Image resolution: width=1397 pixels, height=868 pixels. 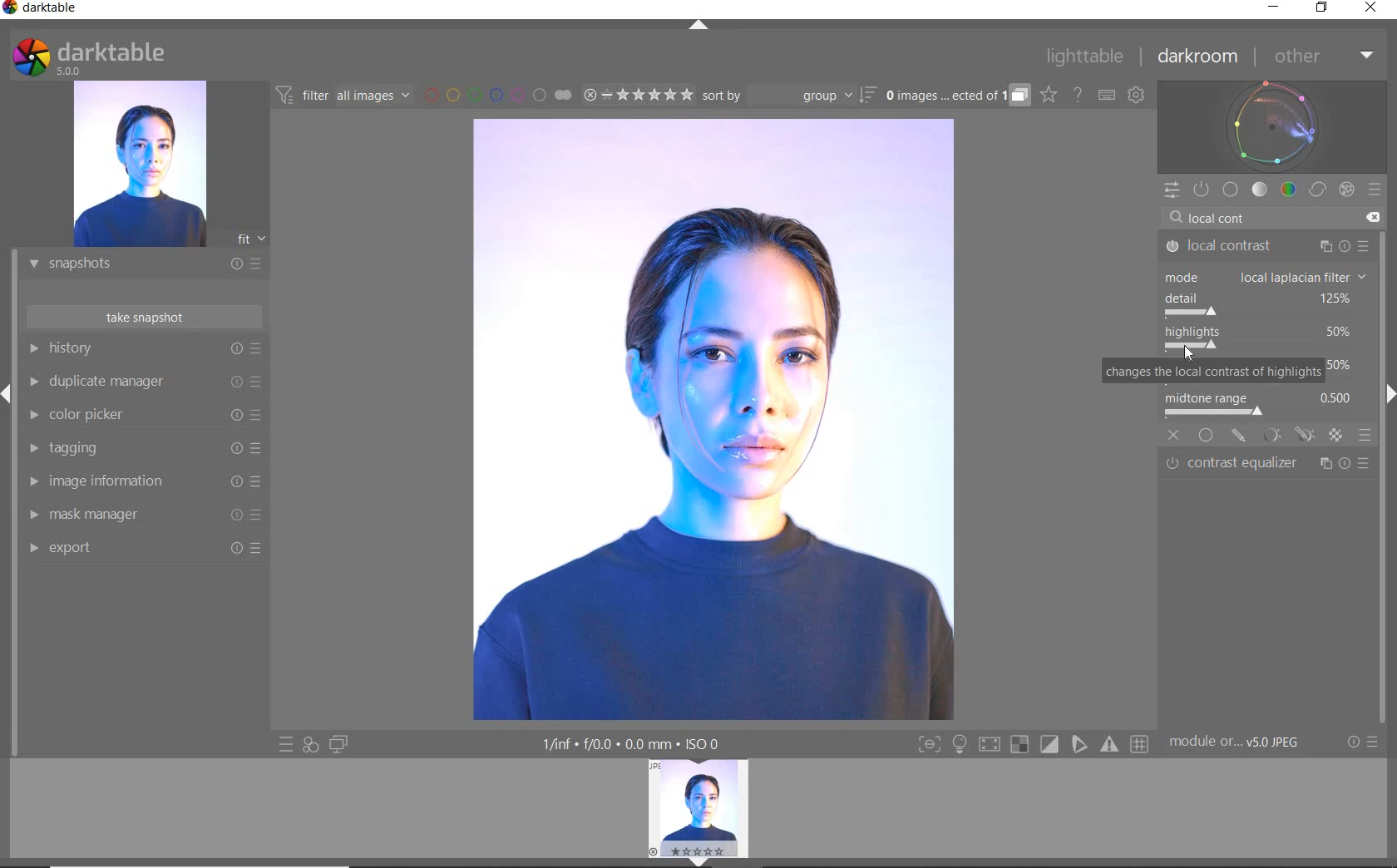 What do you see at coordinates (139, 486) in the screenshot?
I see `IMAGE INFORMATION` at bounding box center [139, 486].